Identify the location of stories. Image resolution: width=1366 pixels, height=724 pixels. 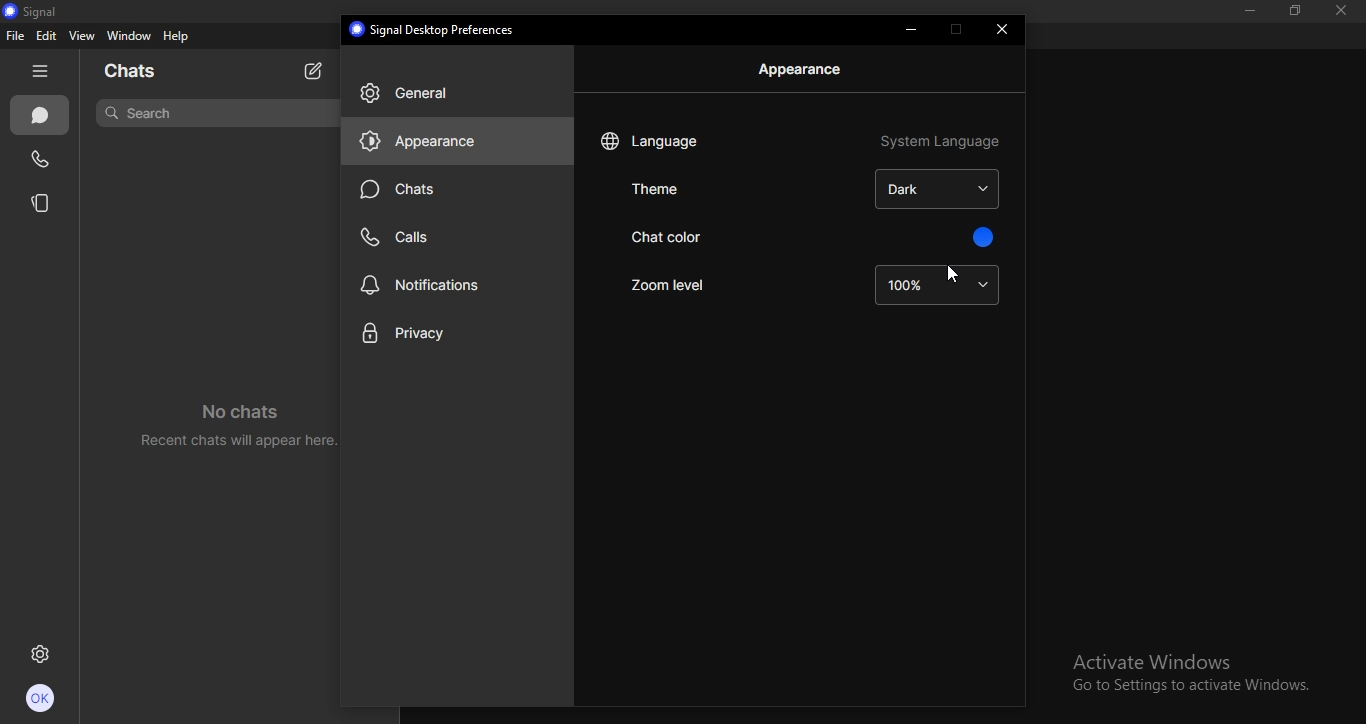
(41, 202).